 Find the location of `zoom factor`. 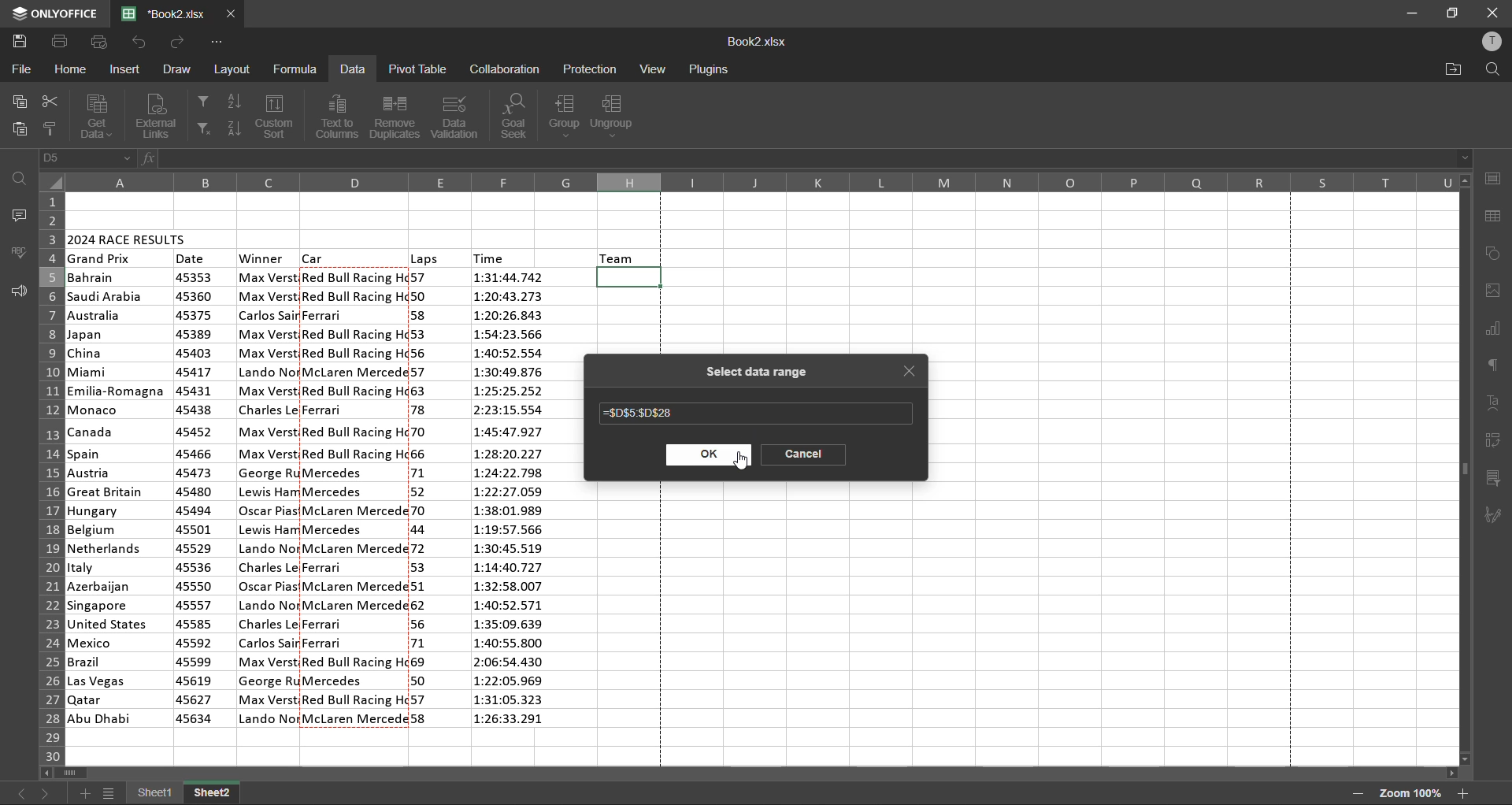

zoom factor is located at coordinates (1408, 793).